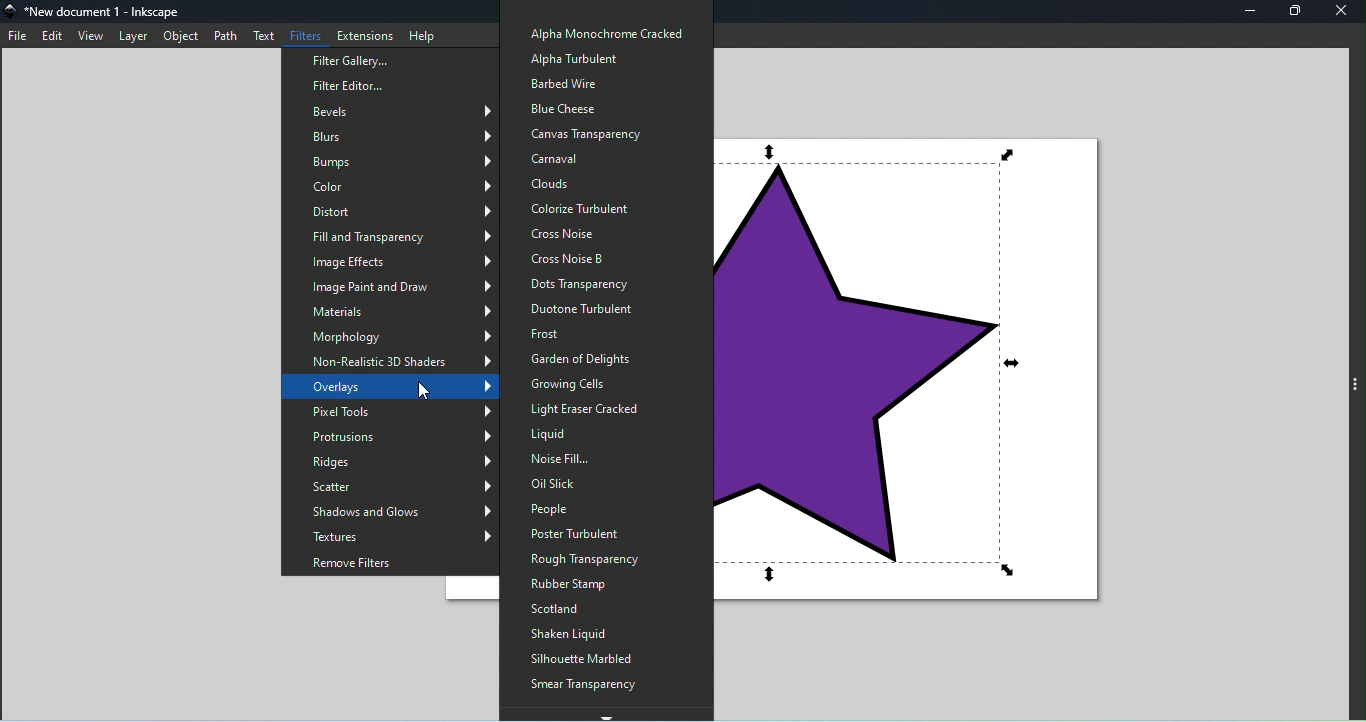  Describe the element at coordinates (394, 489) in the screenshot. I see `Scatter` at that location.